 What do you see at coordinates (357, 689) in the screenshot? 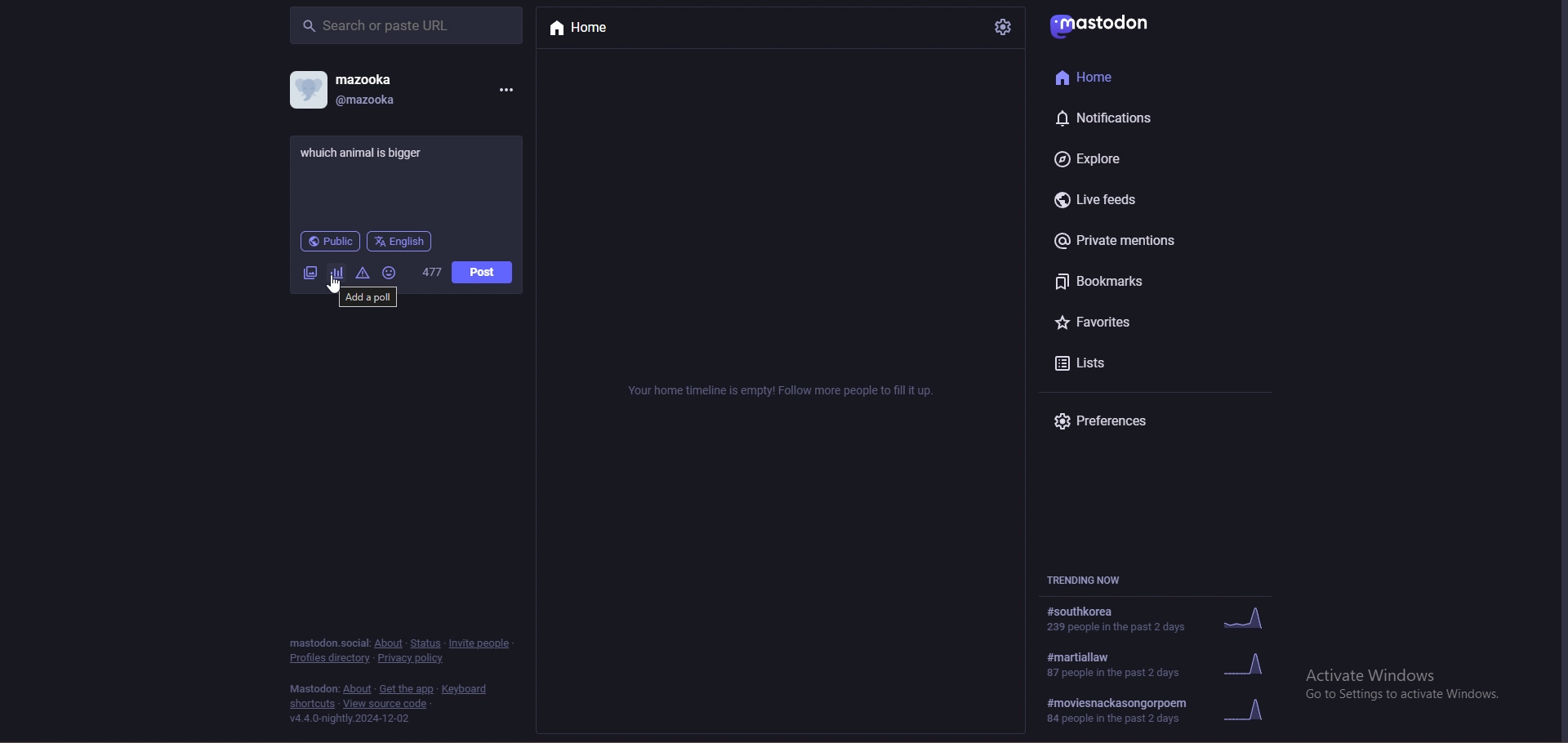
I see `about` at bounding box center [357, 689].